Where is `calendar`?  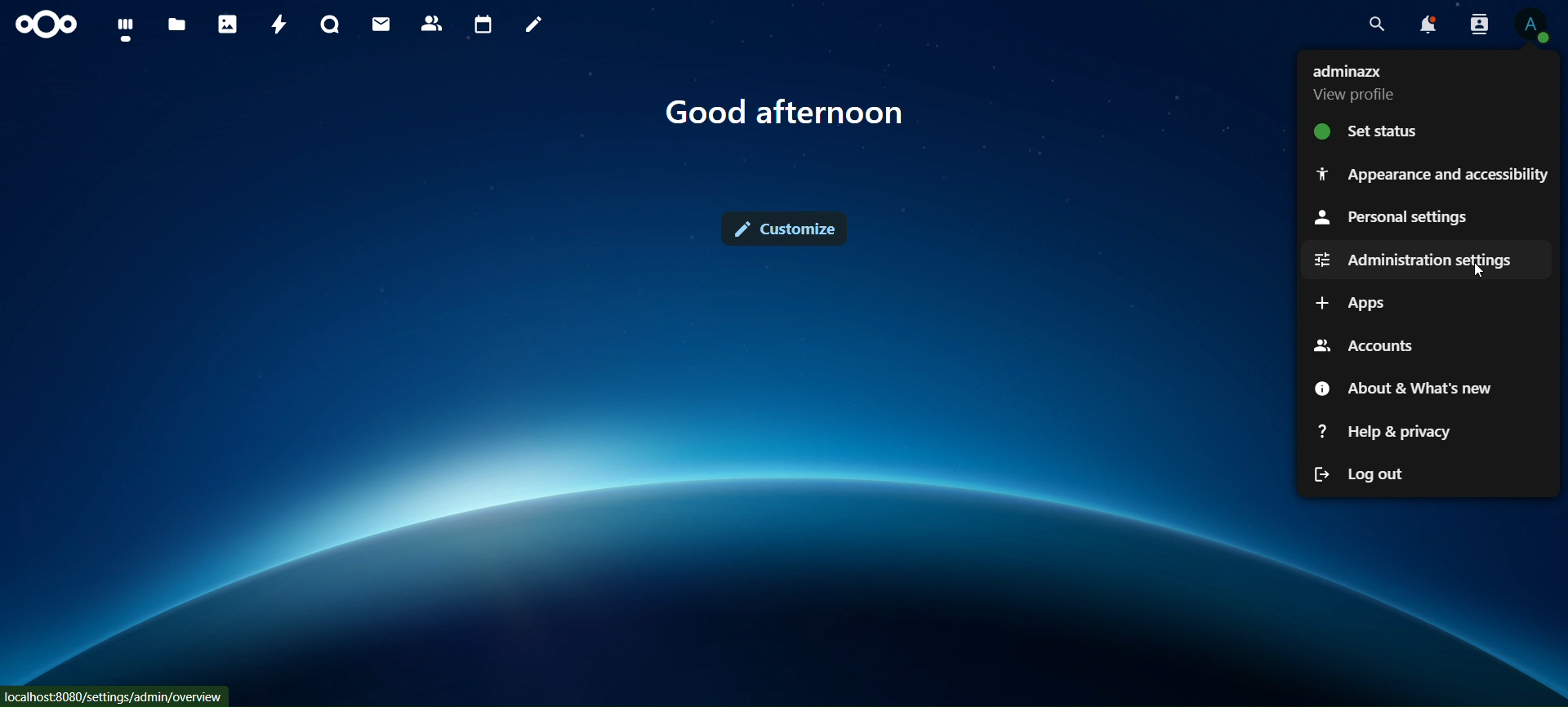
calendar is located at coordinates (481, 23).